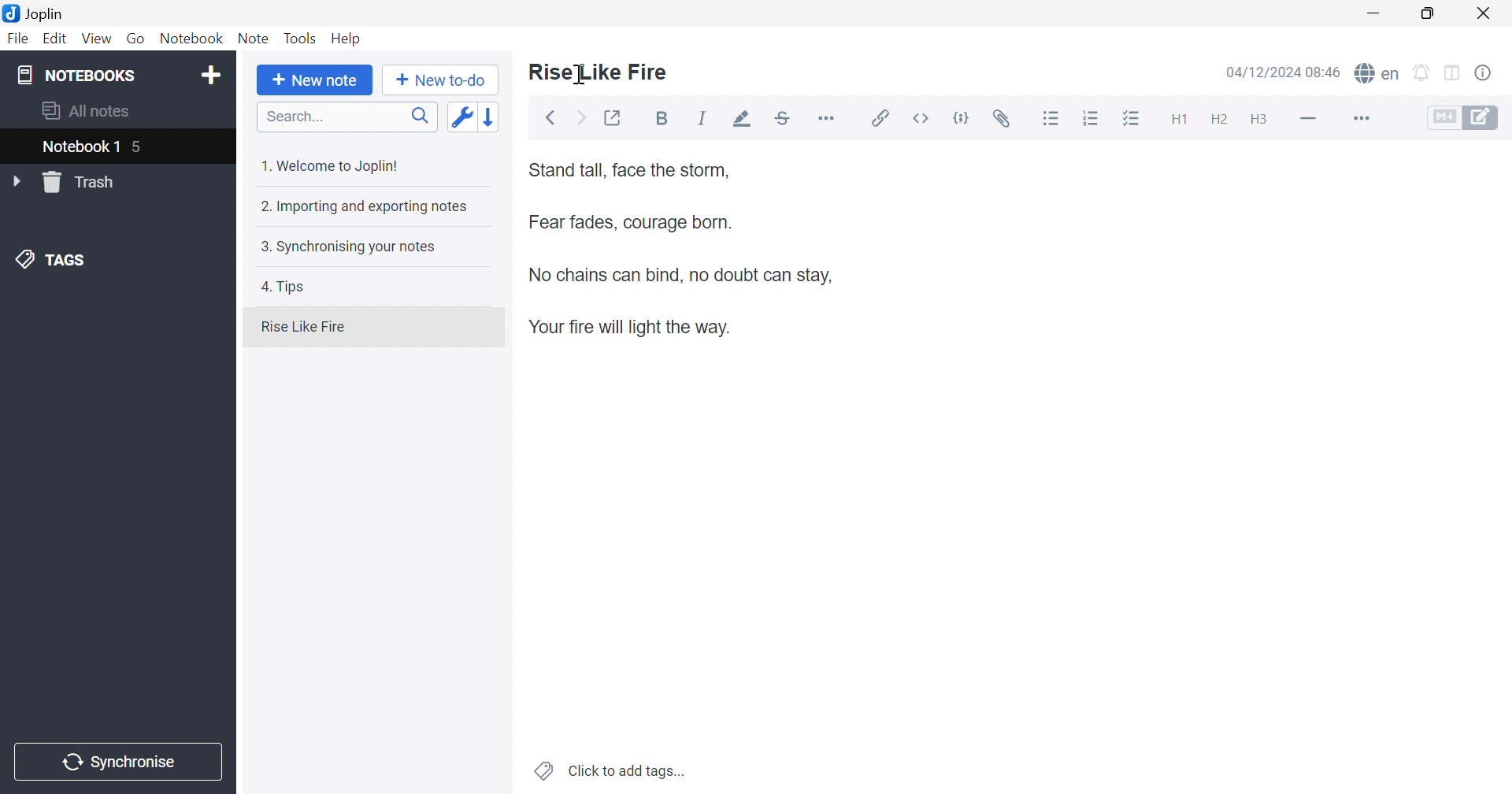 This screenshot has height=794, width=1512. What do you see at coordinates (283, 288) in the screenshot?
I see `4. Tips` at bounding box center [283, 288].